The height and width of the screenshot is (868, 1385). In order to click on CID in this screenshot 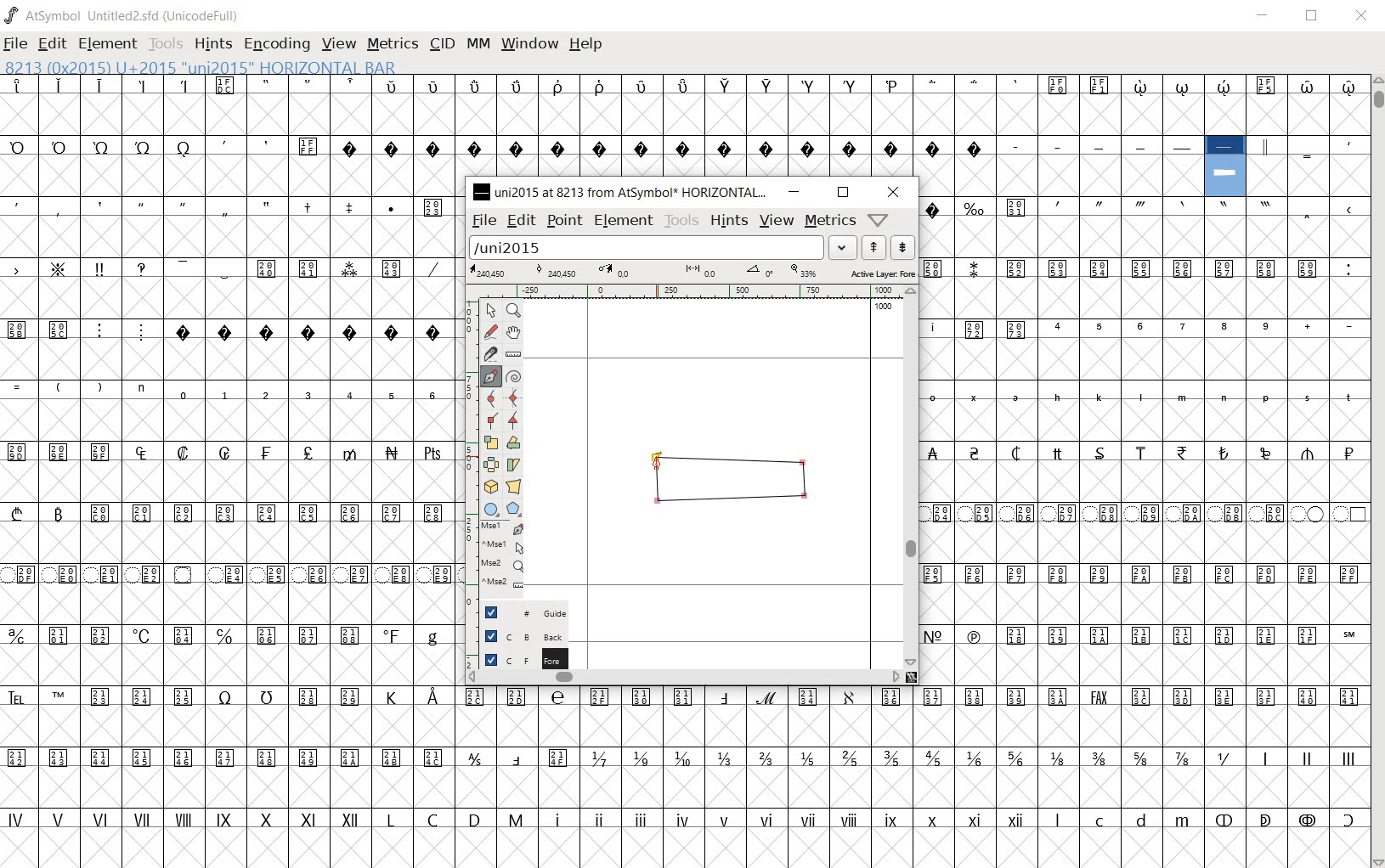, I will do `click(442, 43)`.